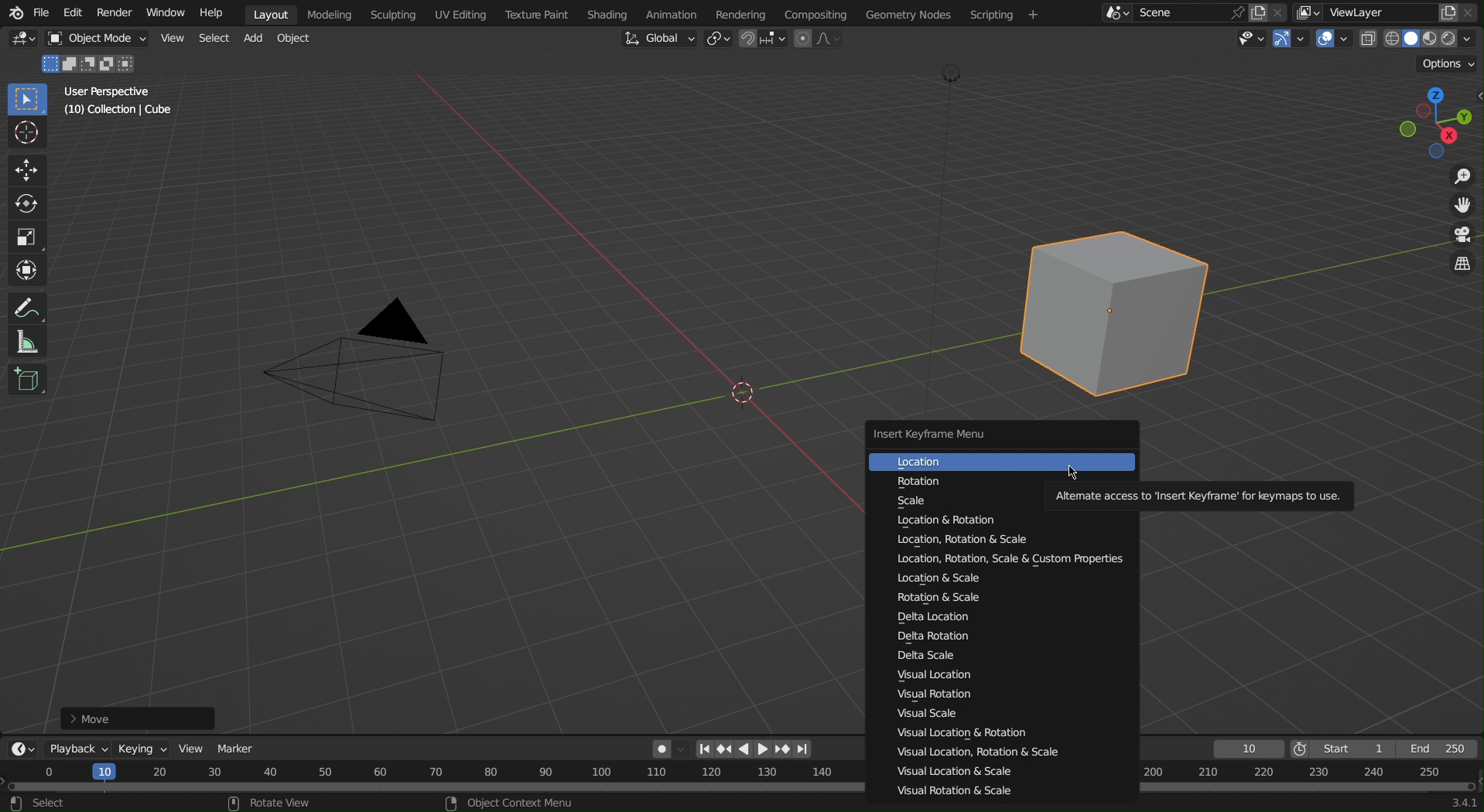 This screenshot has width=1484, height=812. Describe the element at coordinates (1246, 749) in the screenshot. I see `Frame` at that location.